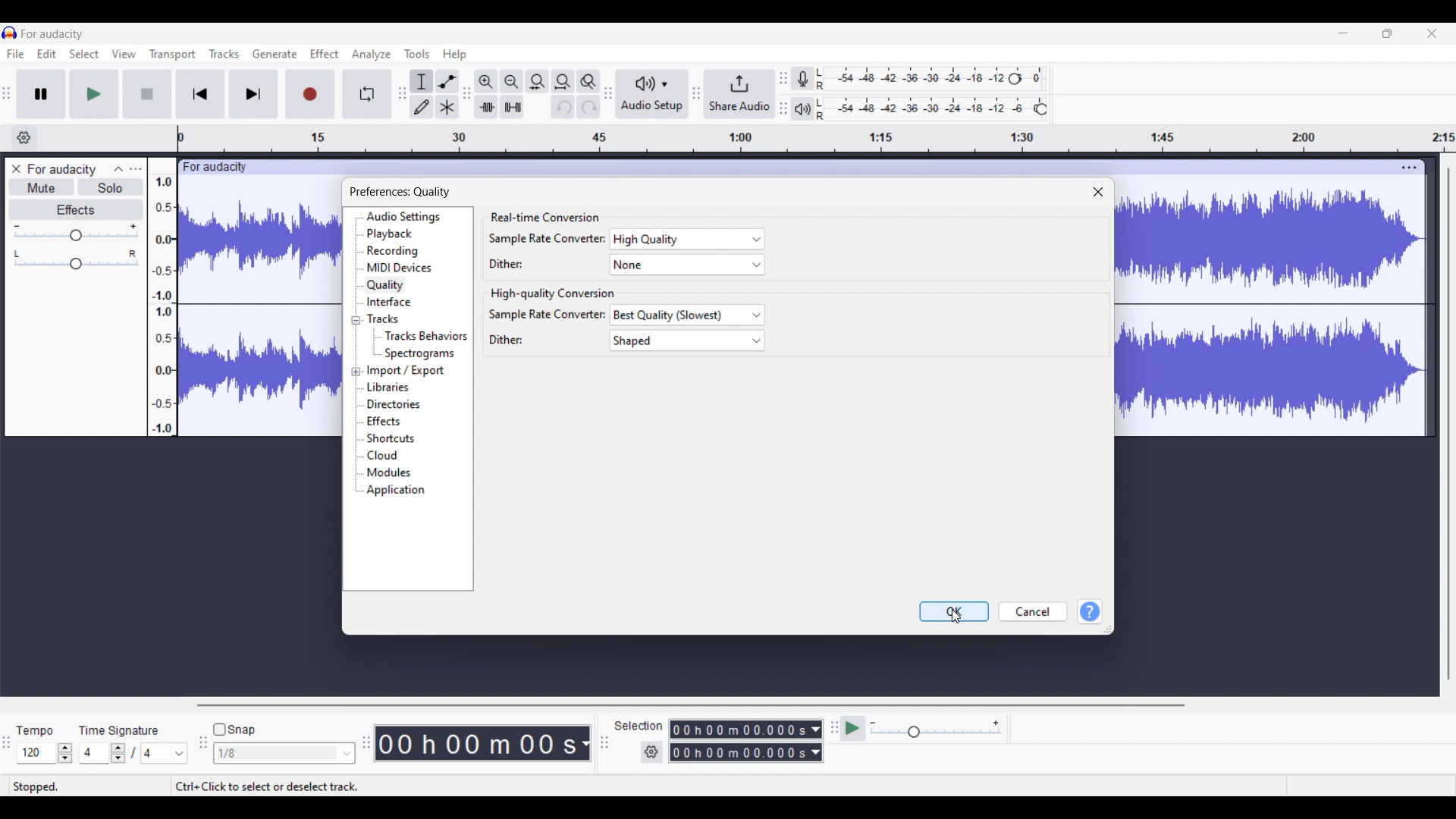 The width and height of the screenshot is (1456, 819). I want to click on Indicates options to select measurement, so click(639, 726).